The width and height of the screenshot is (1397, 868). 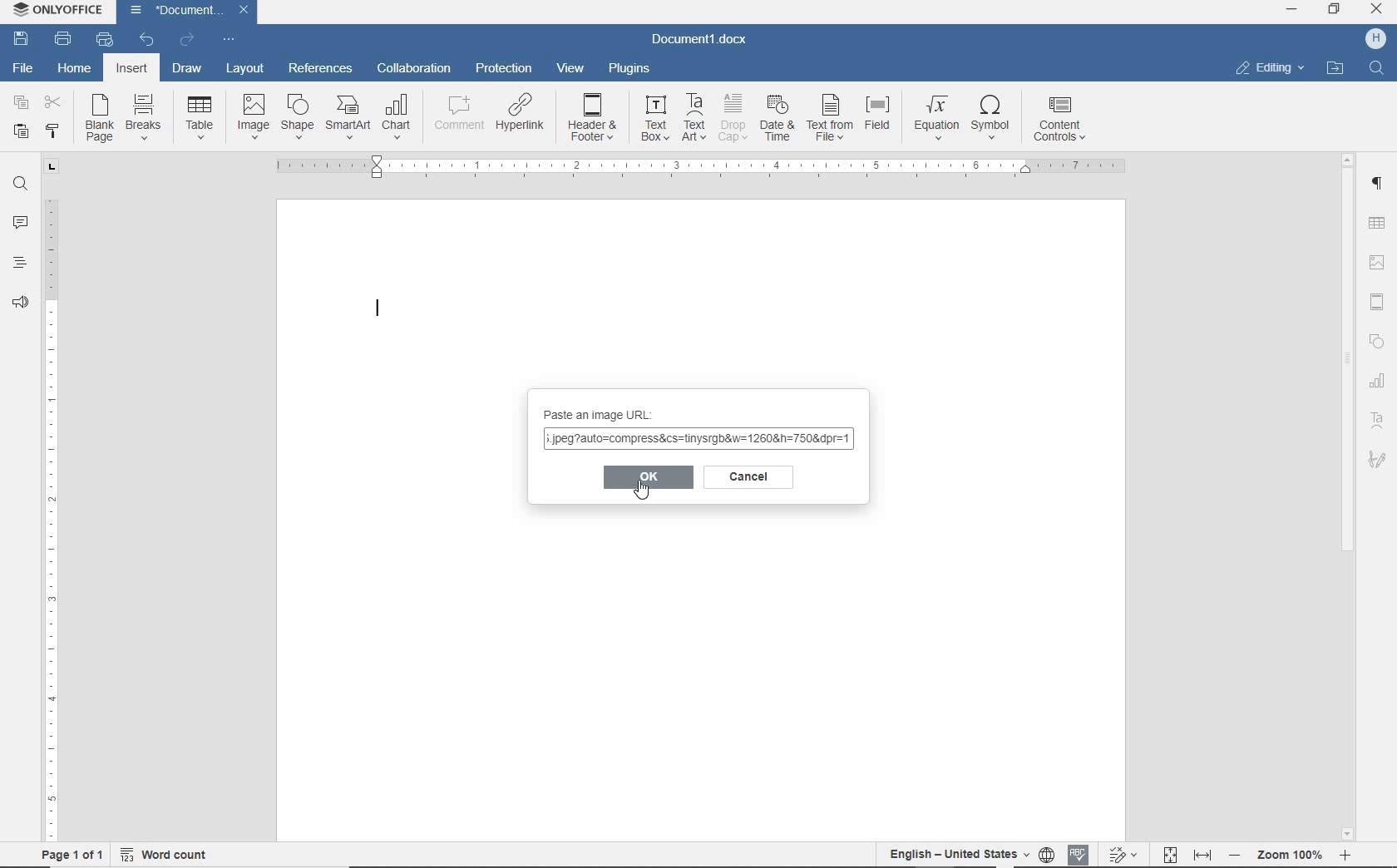 I want to click on English- United States(text language), so click(x=958, y=856).